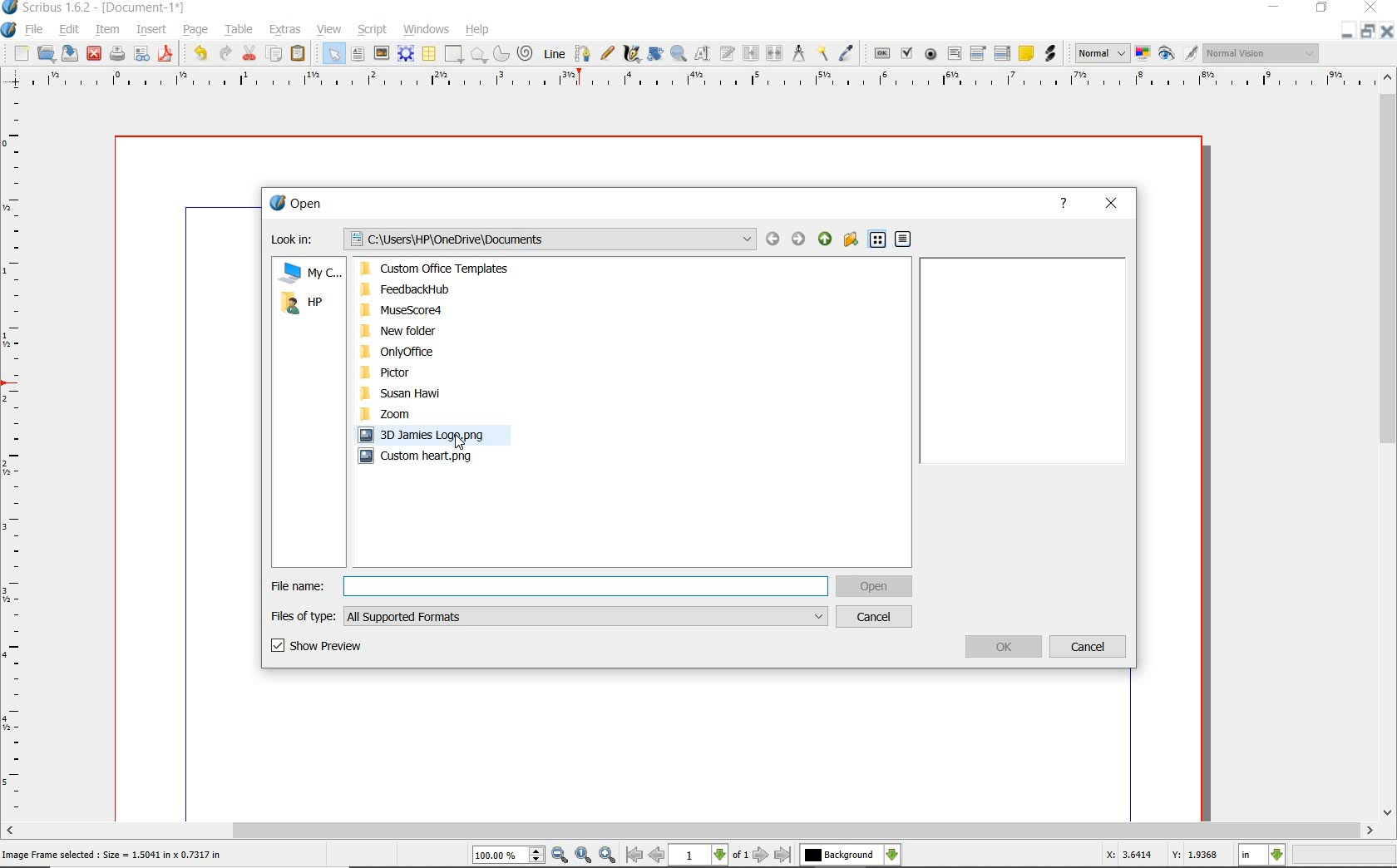 The width and height of the screenshot is (1397, 868). I want to click on PDF List Box, so click(1002, 53).